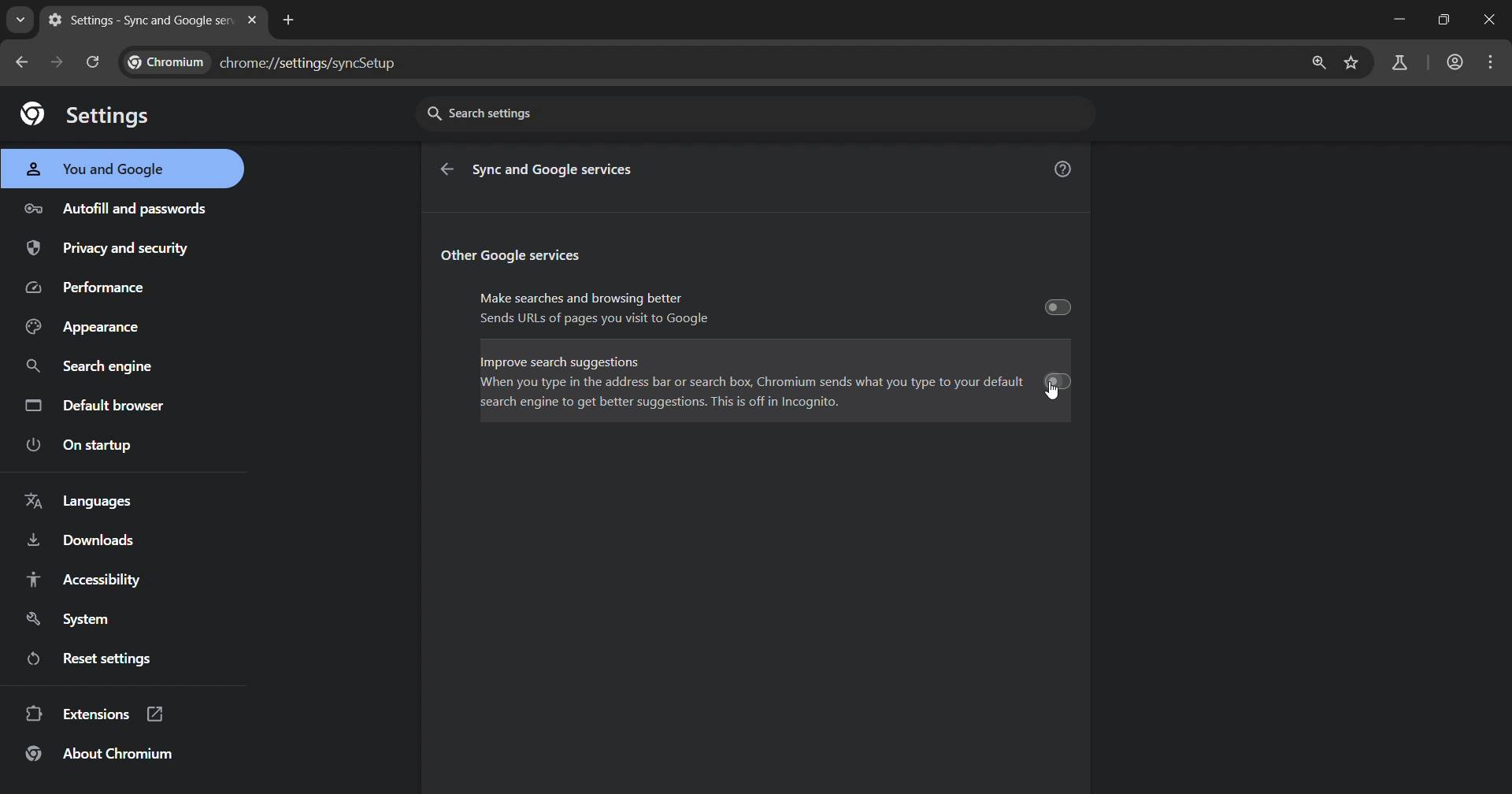  I want to click on go back one page, so click(18, 61).